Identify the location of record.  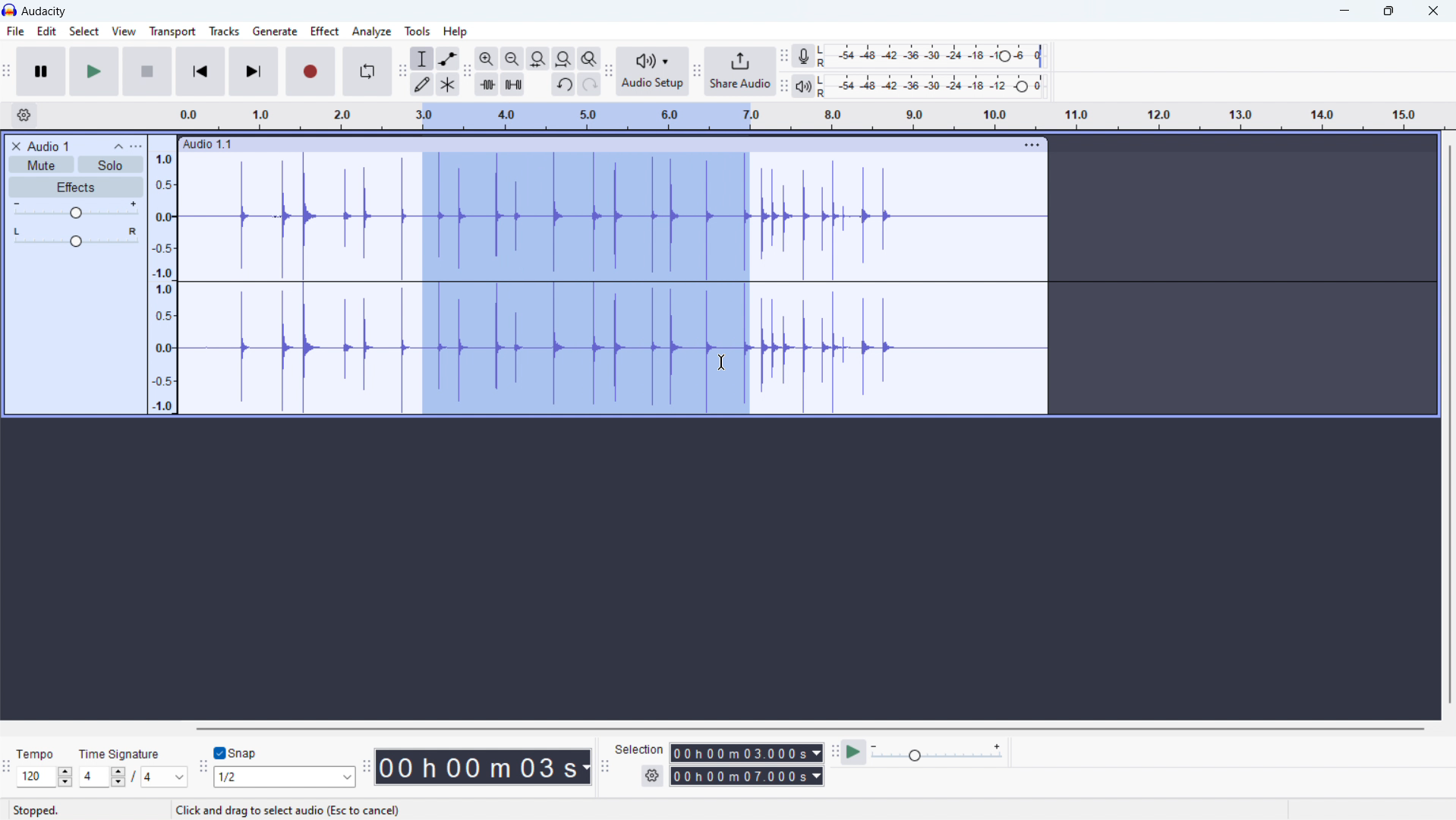
(310, 71).